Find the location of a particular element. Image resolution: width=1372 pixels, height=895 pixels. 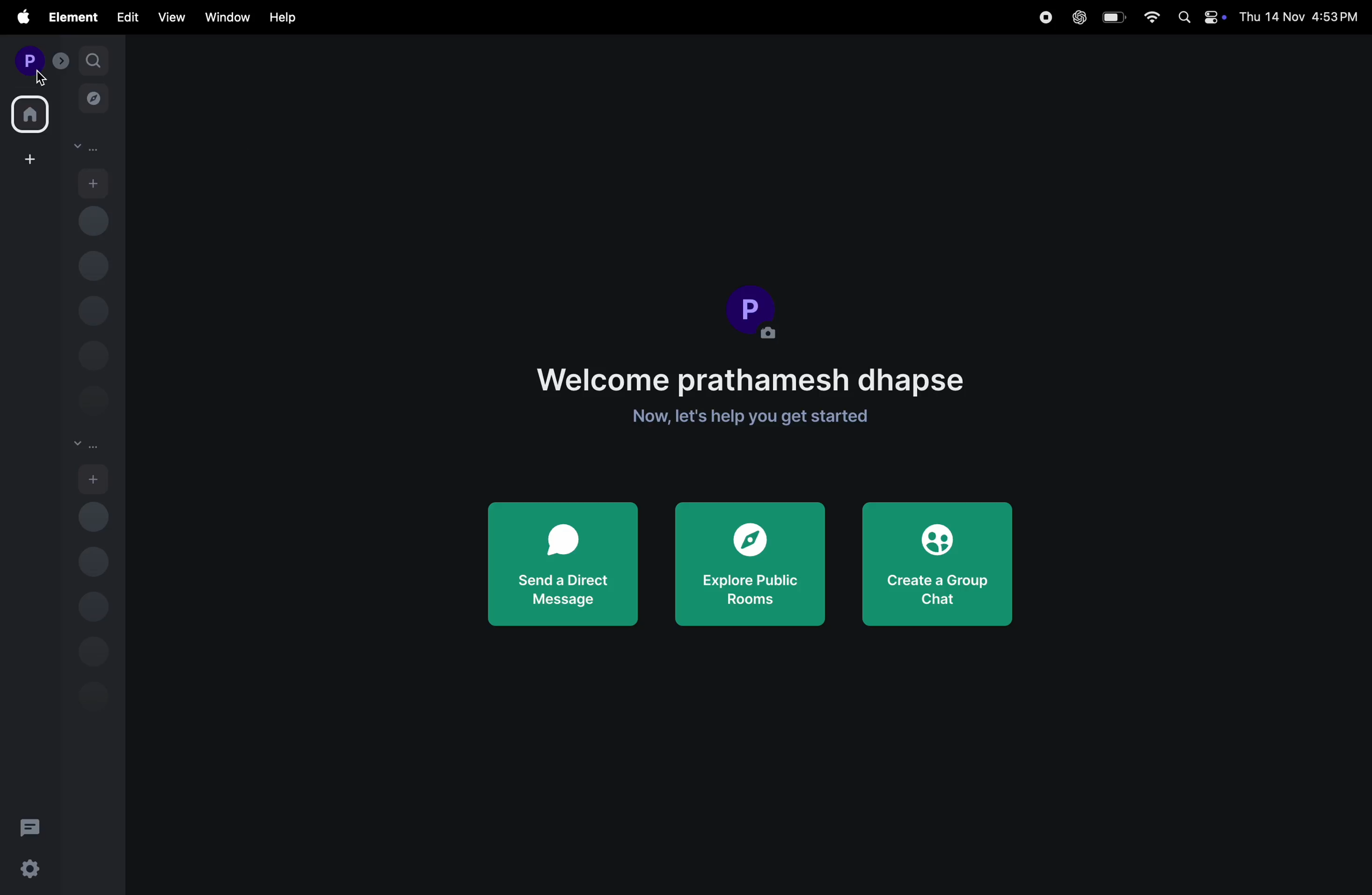

wifi is located at coordinates (1150, 16).